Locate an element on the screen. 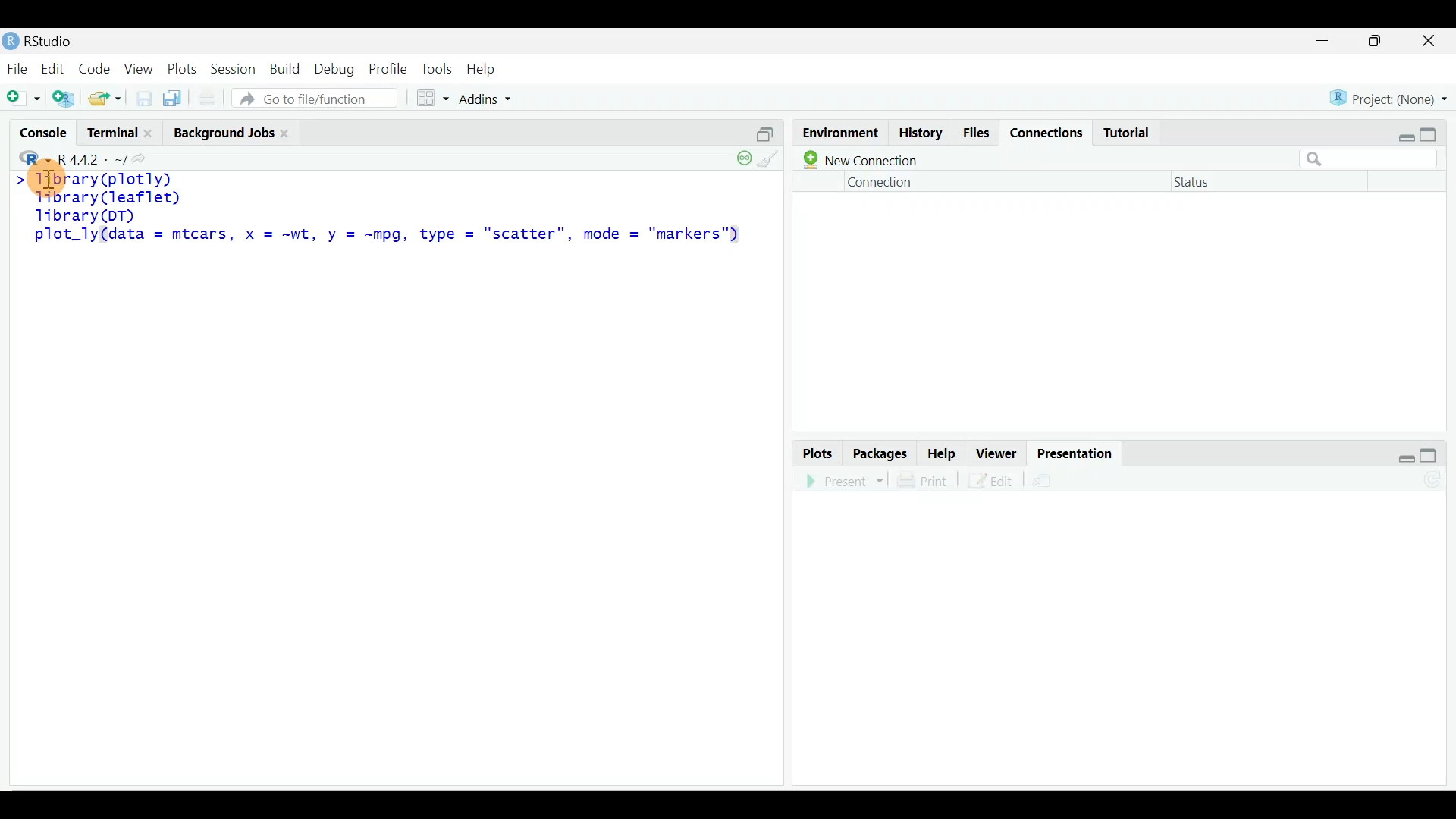 The image size is (1456, 819). maximize is located at coordinates (1382, 42).